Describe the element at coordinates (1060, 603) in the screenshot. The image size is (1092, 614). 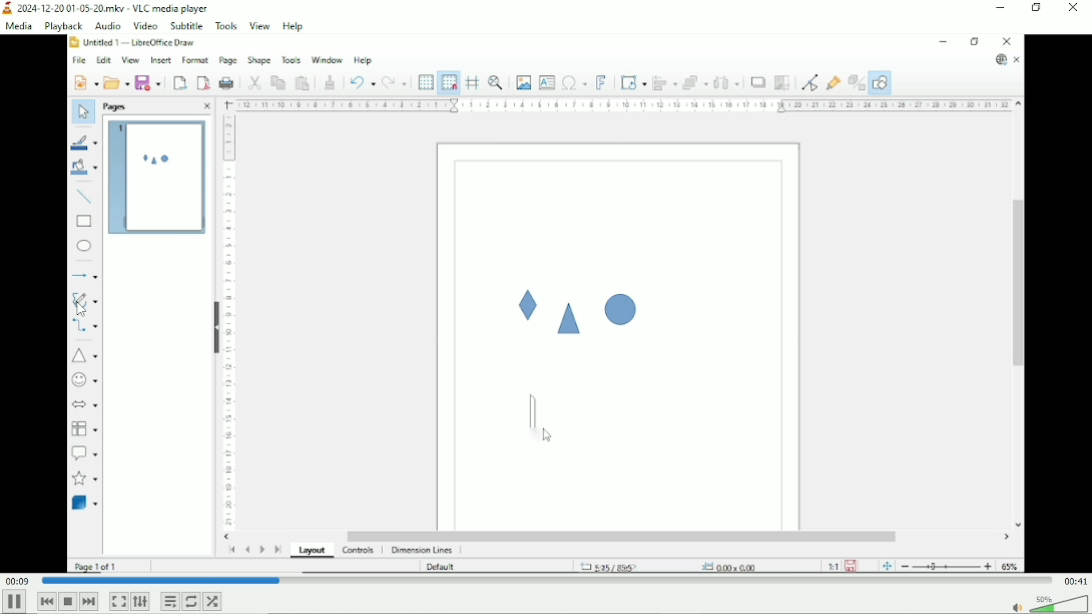
I see ` Volume` at that location.